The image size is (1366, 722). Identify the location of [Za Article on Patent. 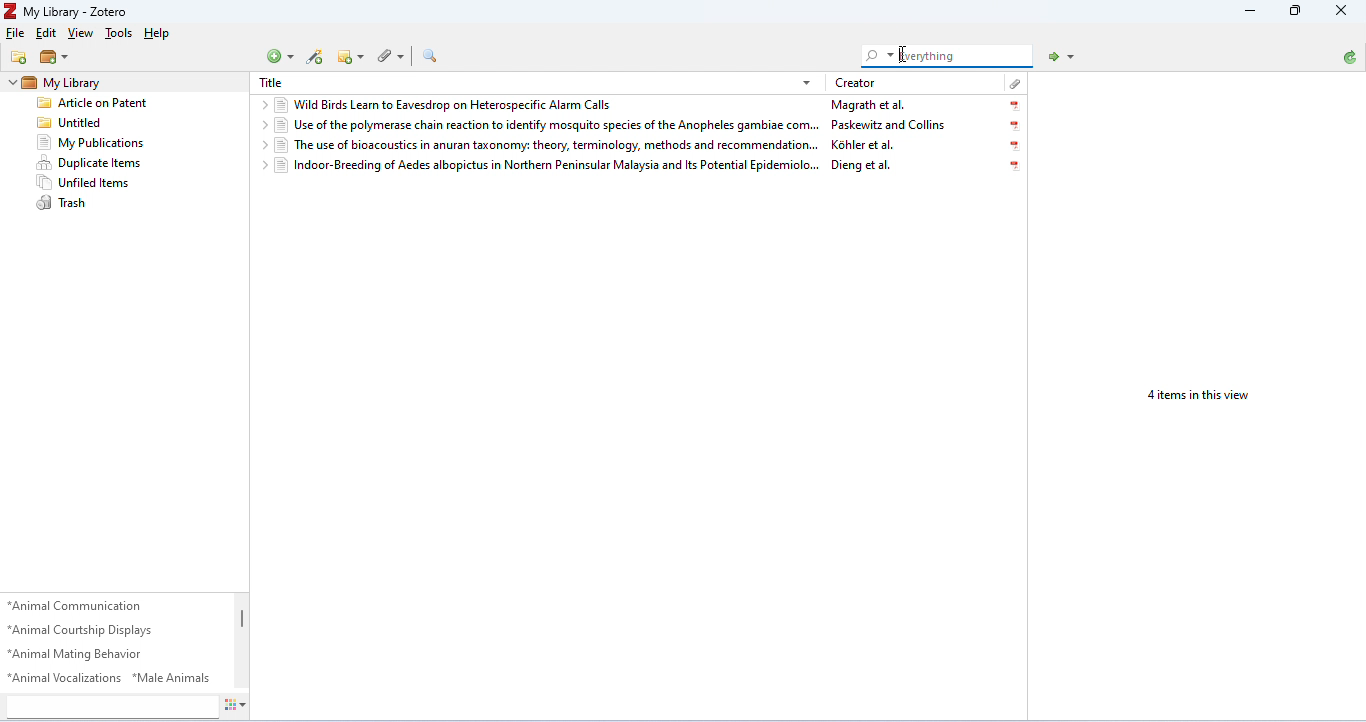
(104, 101).